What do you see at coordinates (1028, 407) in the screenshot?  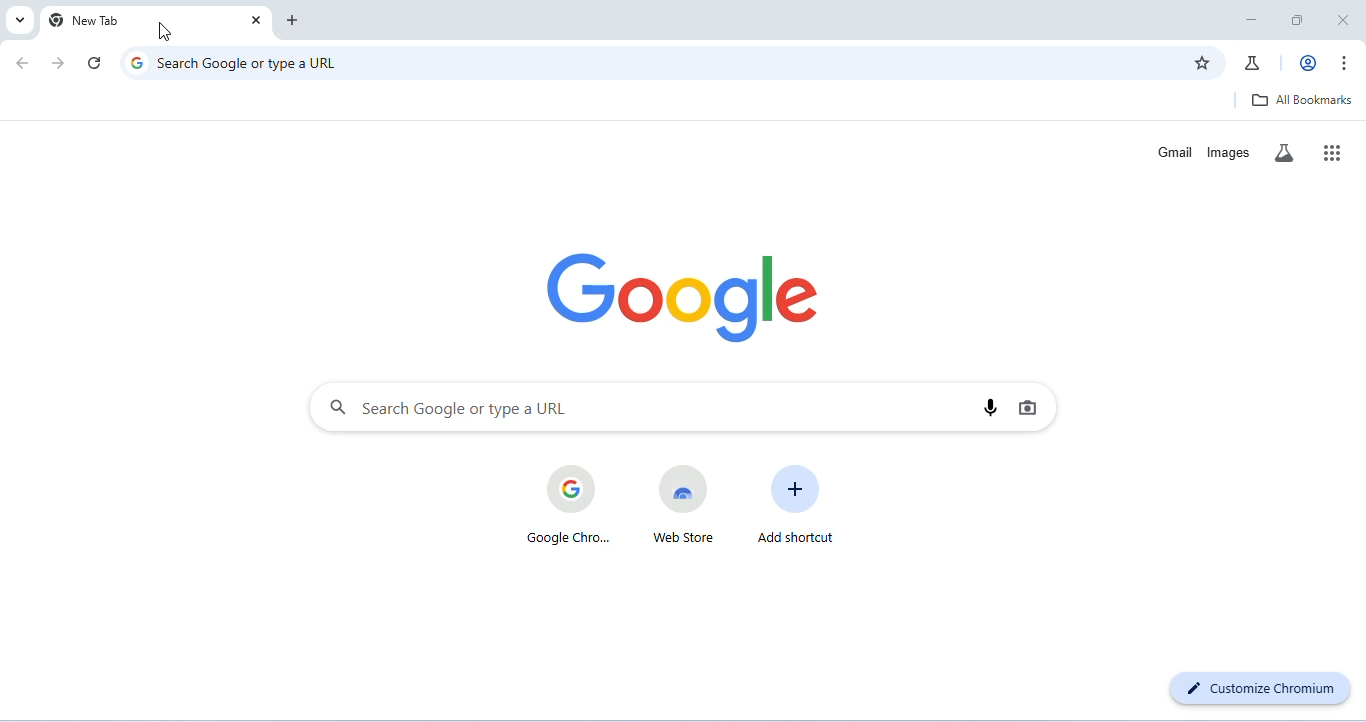 I see `image search` at bounding box center [1028, 407].